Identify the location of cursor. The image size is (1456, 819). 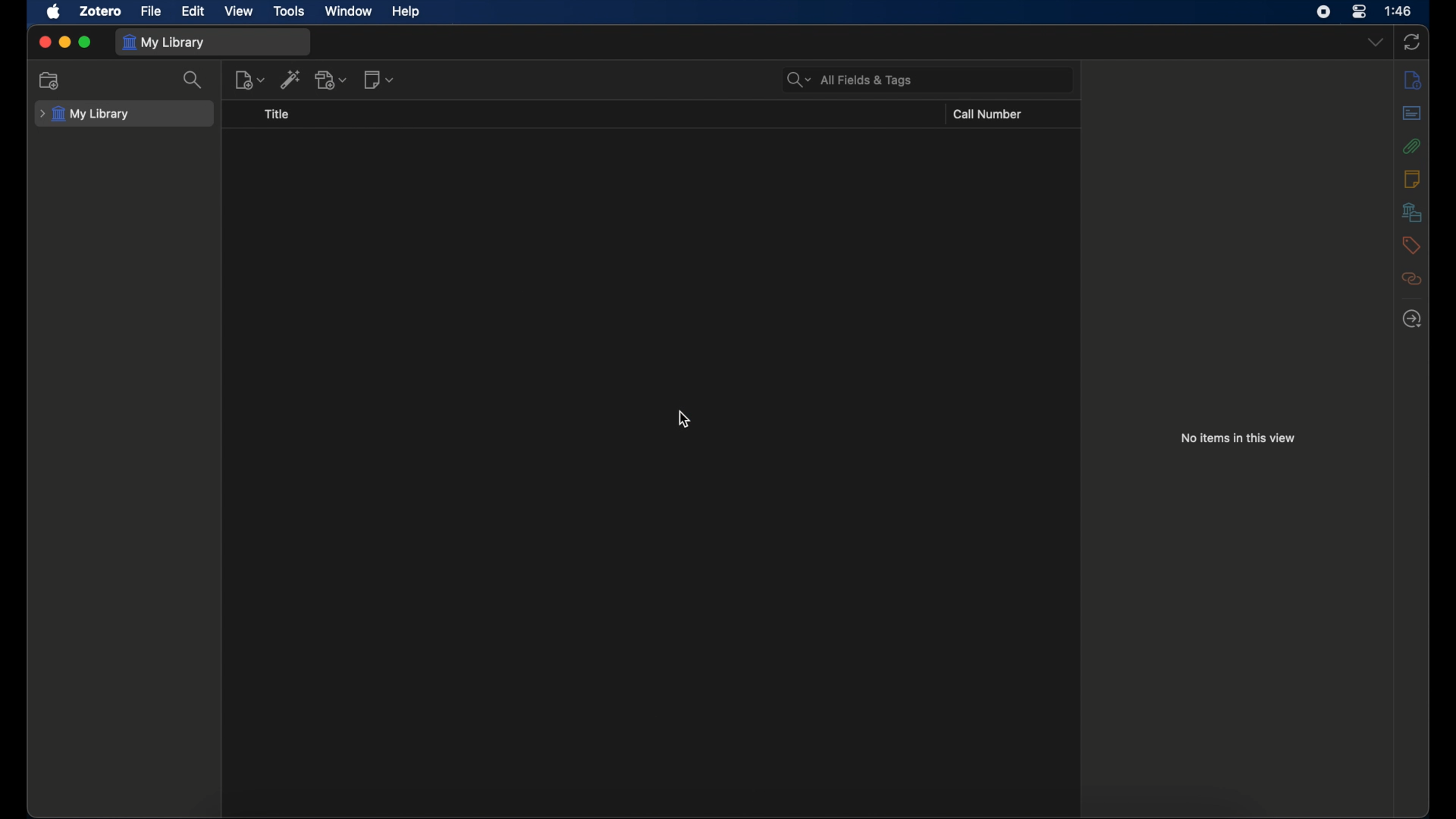
(683, 419).